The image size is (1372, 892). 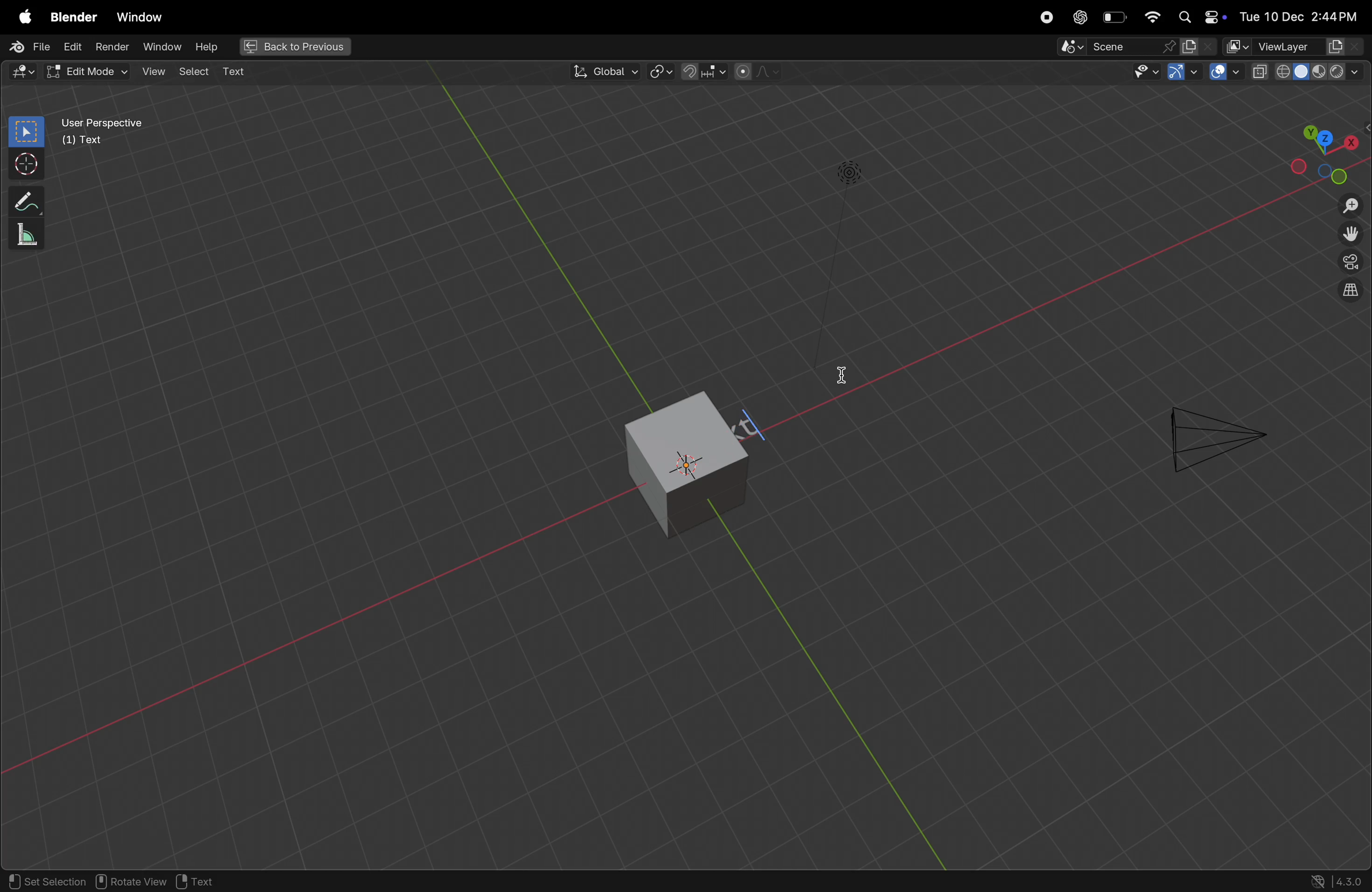 What do you see at coordinates (1328, 151) in the screenshot?
I see `view point` at bounding box center [1328, 151].